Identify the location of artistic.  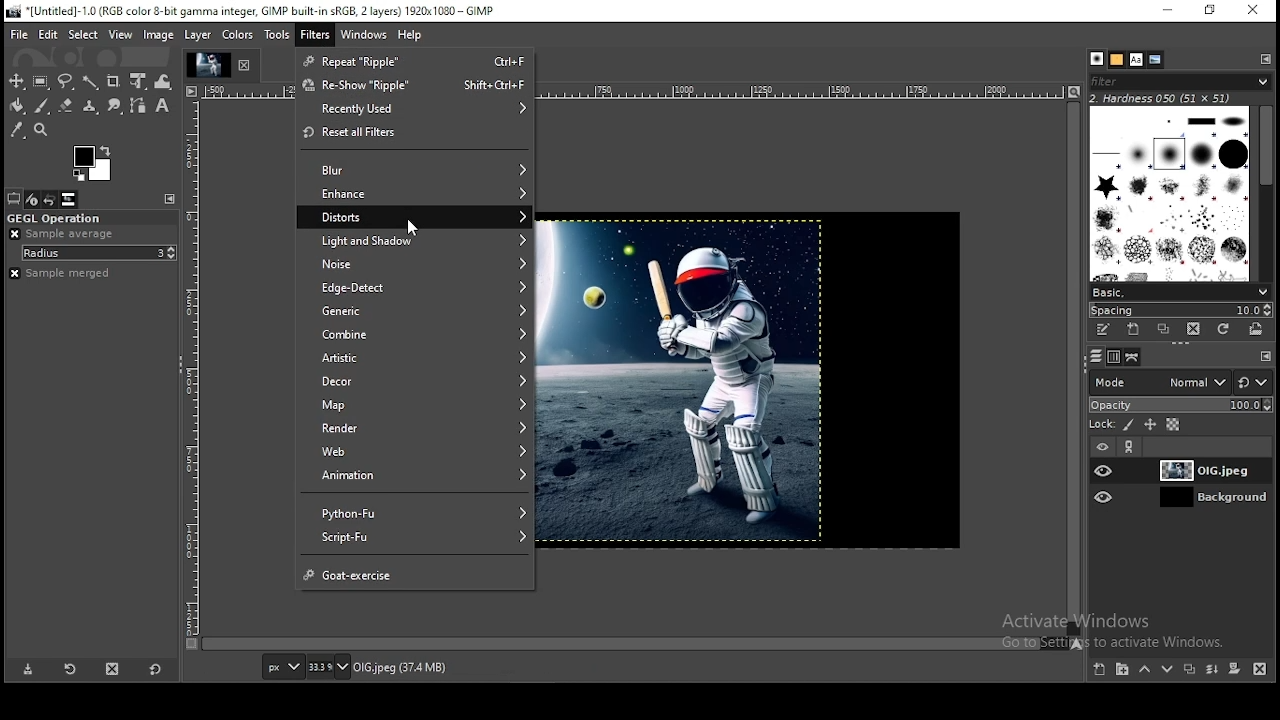
(423, 358).